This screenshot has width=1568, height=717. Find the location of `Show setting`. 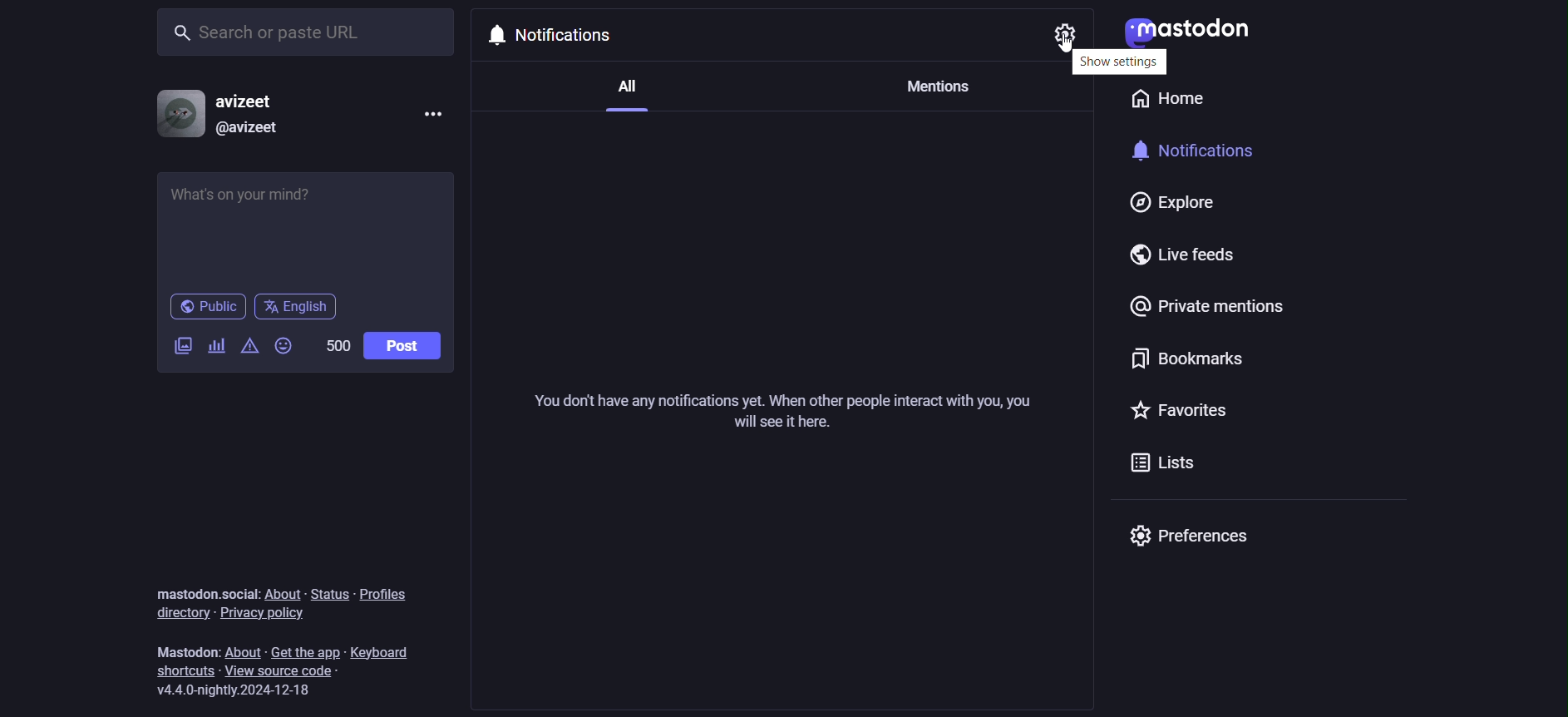

Show setting is located at coordinates (1121, 62).